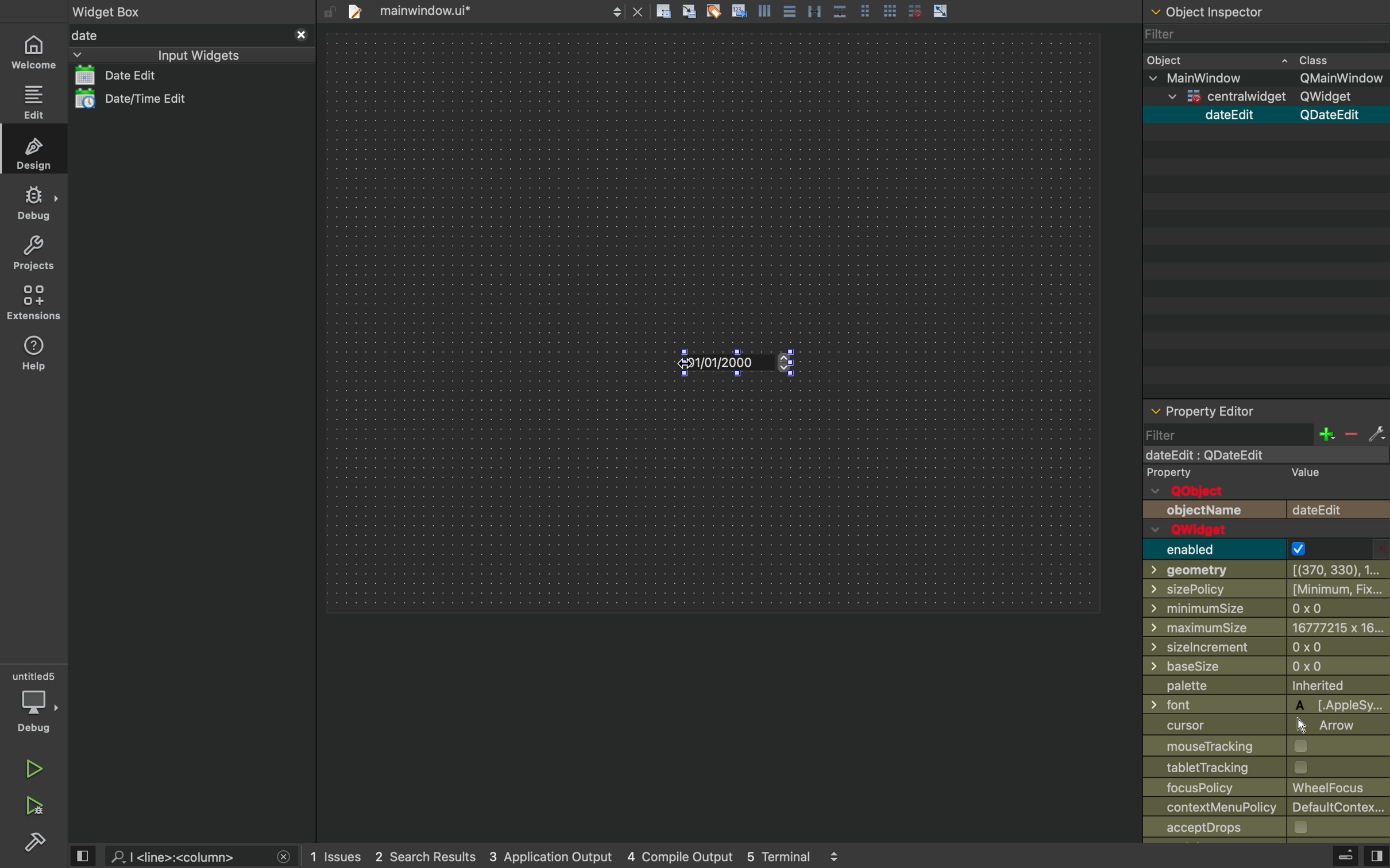 The height and width of the screenshot is (868, 1390). What do you see at coordinates (1235, 530) in the screenshot?
I see `q widget` at bounding box center [1235, 530].